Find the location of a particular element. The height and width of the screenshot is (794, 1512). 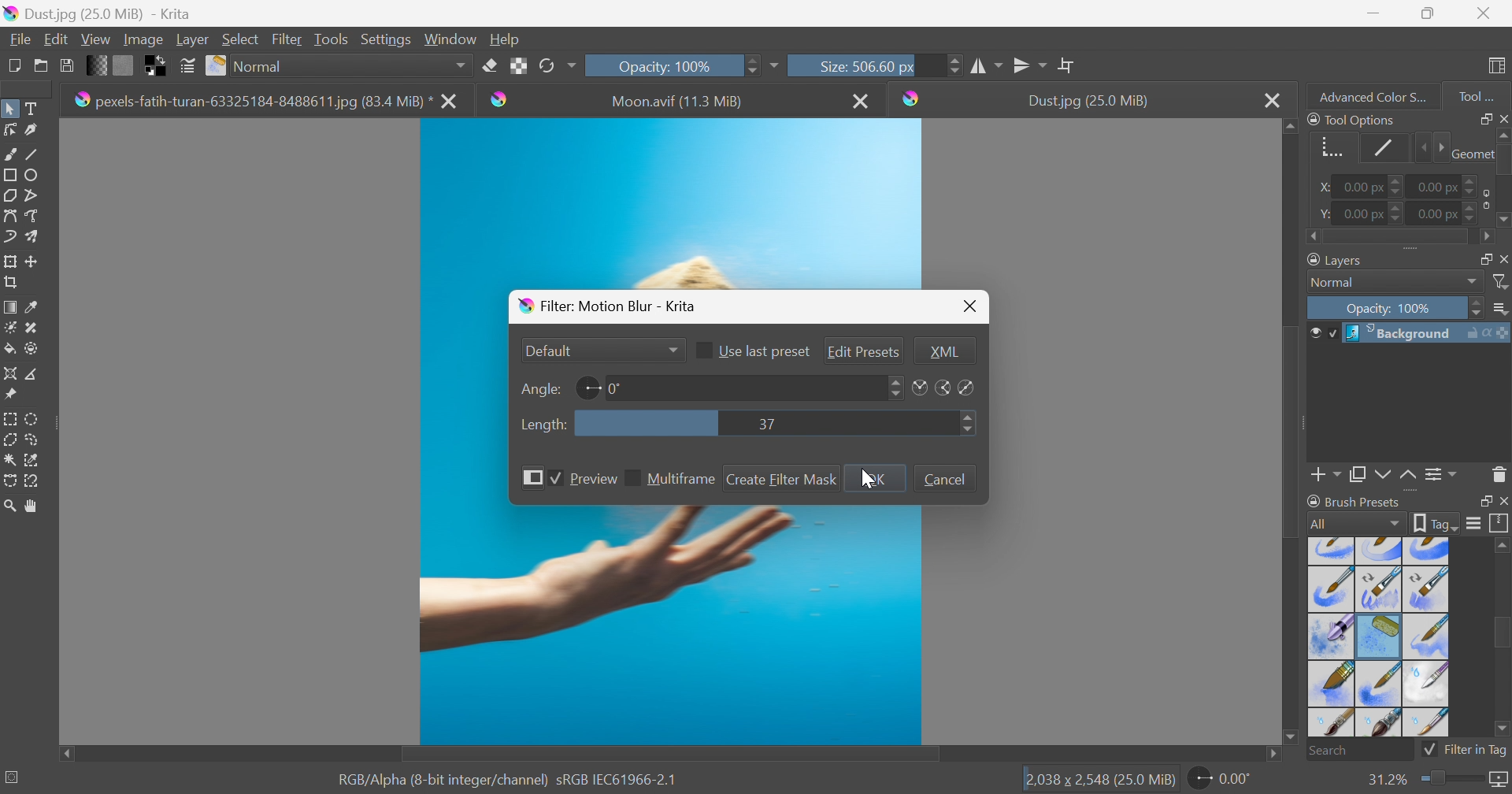

Y: is located at coordinates (1322, 213).